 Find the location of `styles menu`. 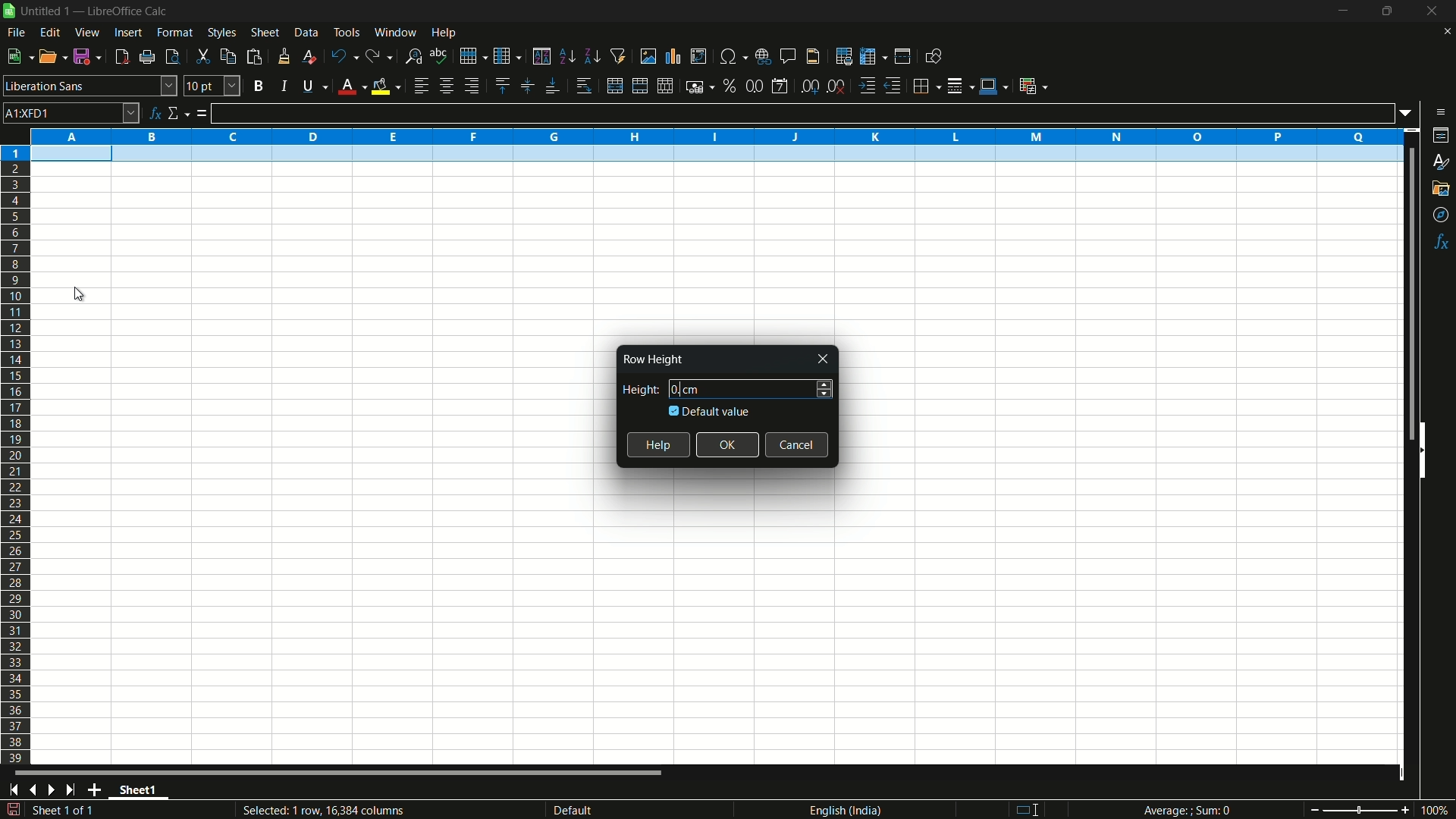

styles menu is located at coordinates (222, 33).